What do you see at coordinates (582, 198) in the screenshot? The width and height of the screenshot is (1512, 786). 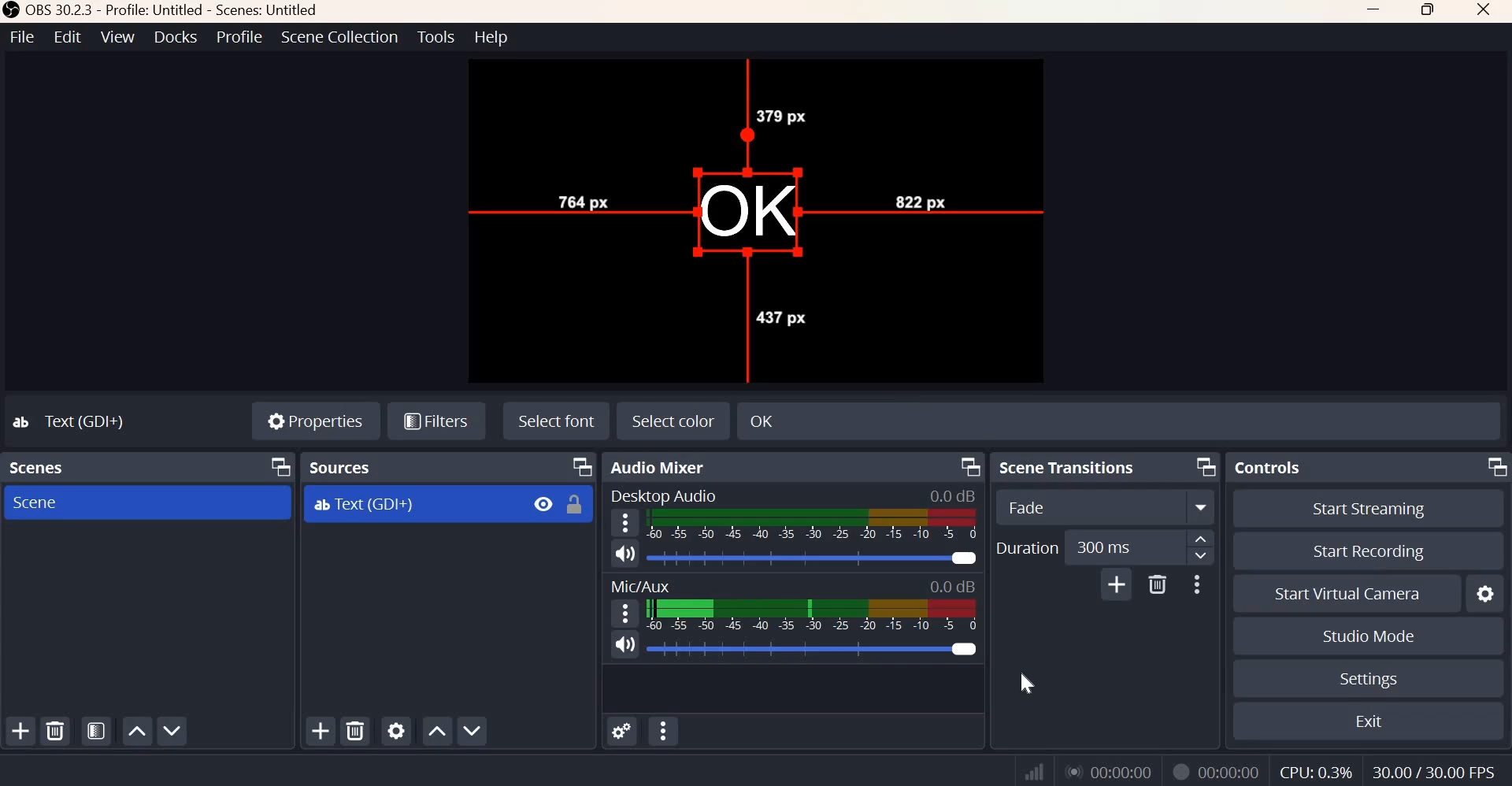 I see `764 px` at bounding box center [582, 198].